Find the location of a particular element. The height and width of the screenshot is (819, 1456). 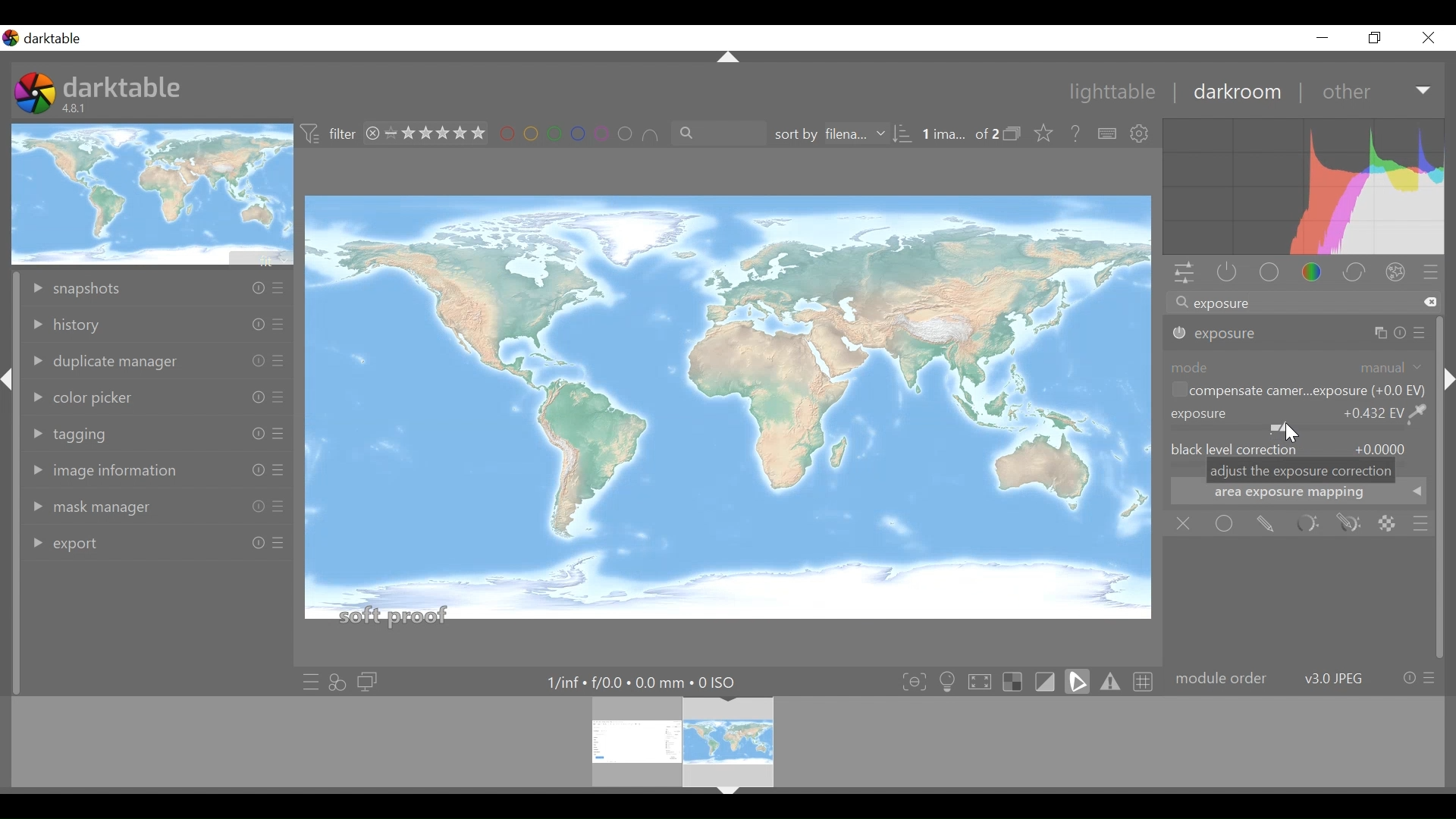

toggle indication of raw overexposure is located at coordinates (1017, 681).